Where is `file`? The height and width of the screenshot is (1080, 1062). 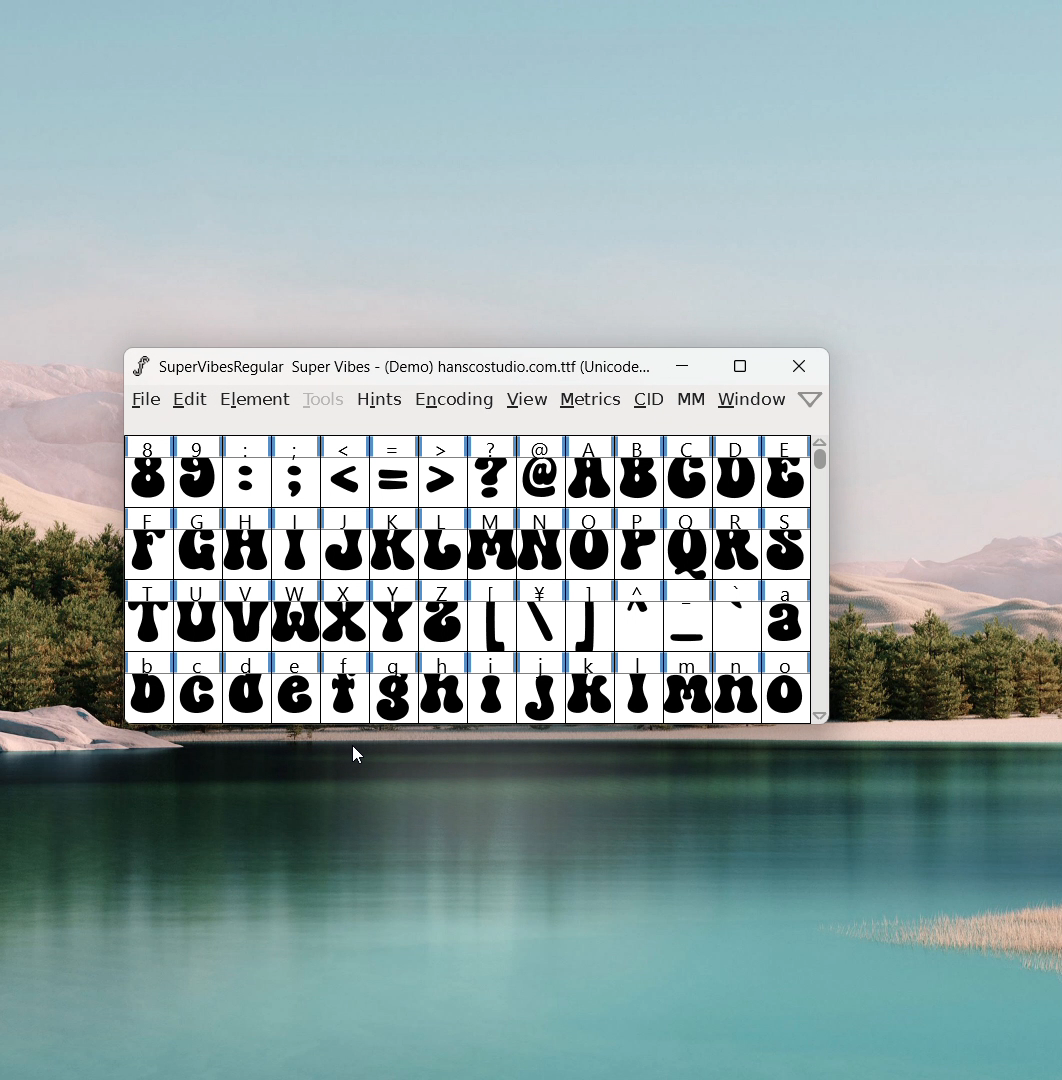
file is located at coordinates (146, 400).